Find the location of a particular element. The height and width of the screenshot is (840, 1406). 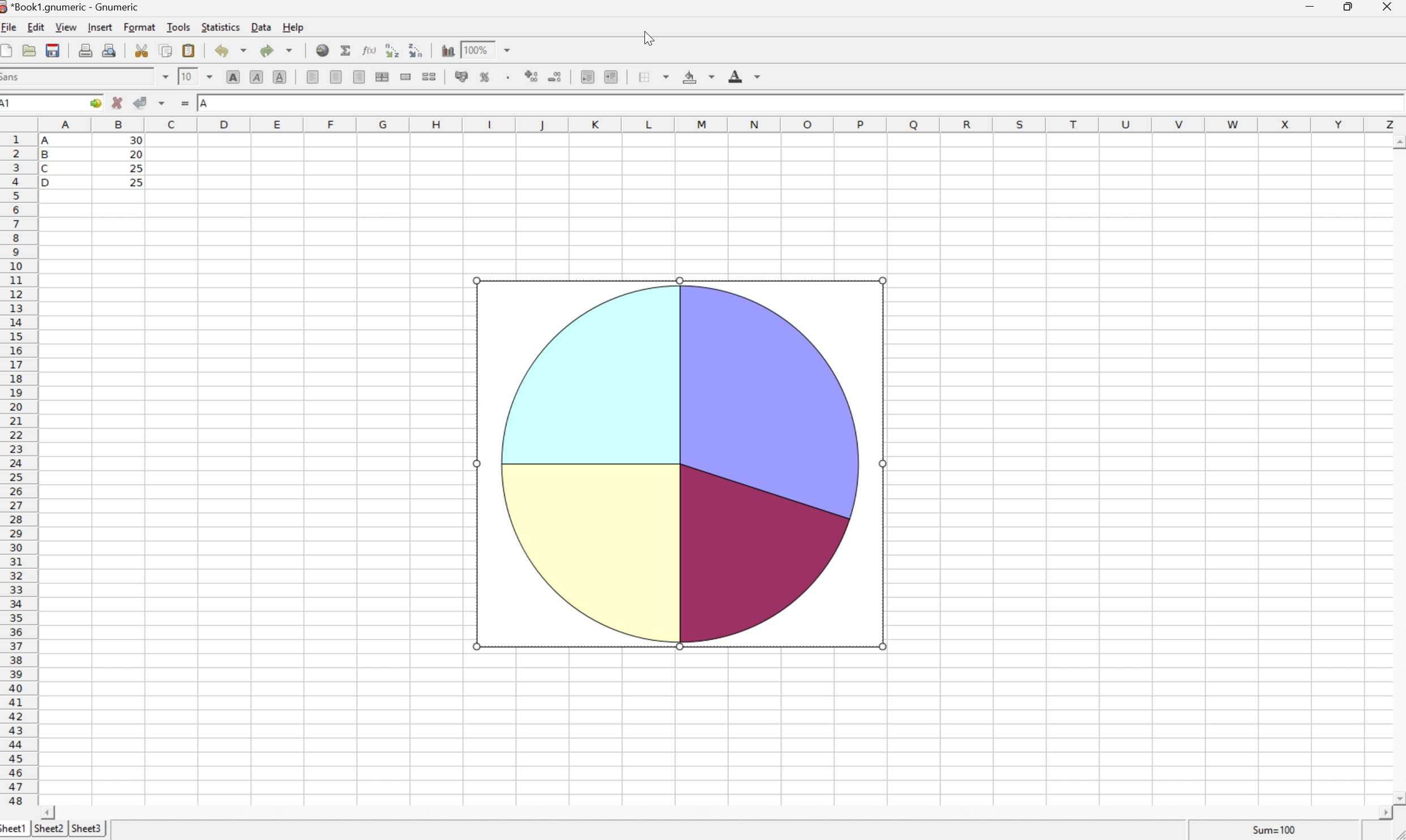

Redo is located at coordinates (275, 49).